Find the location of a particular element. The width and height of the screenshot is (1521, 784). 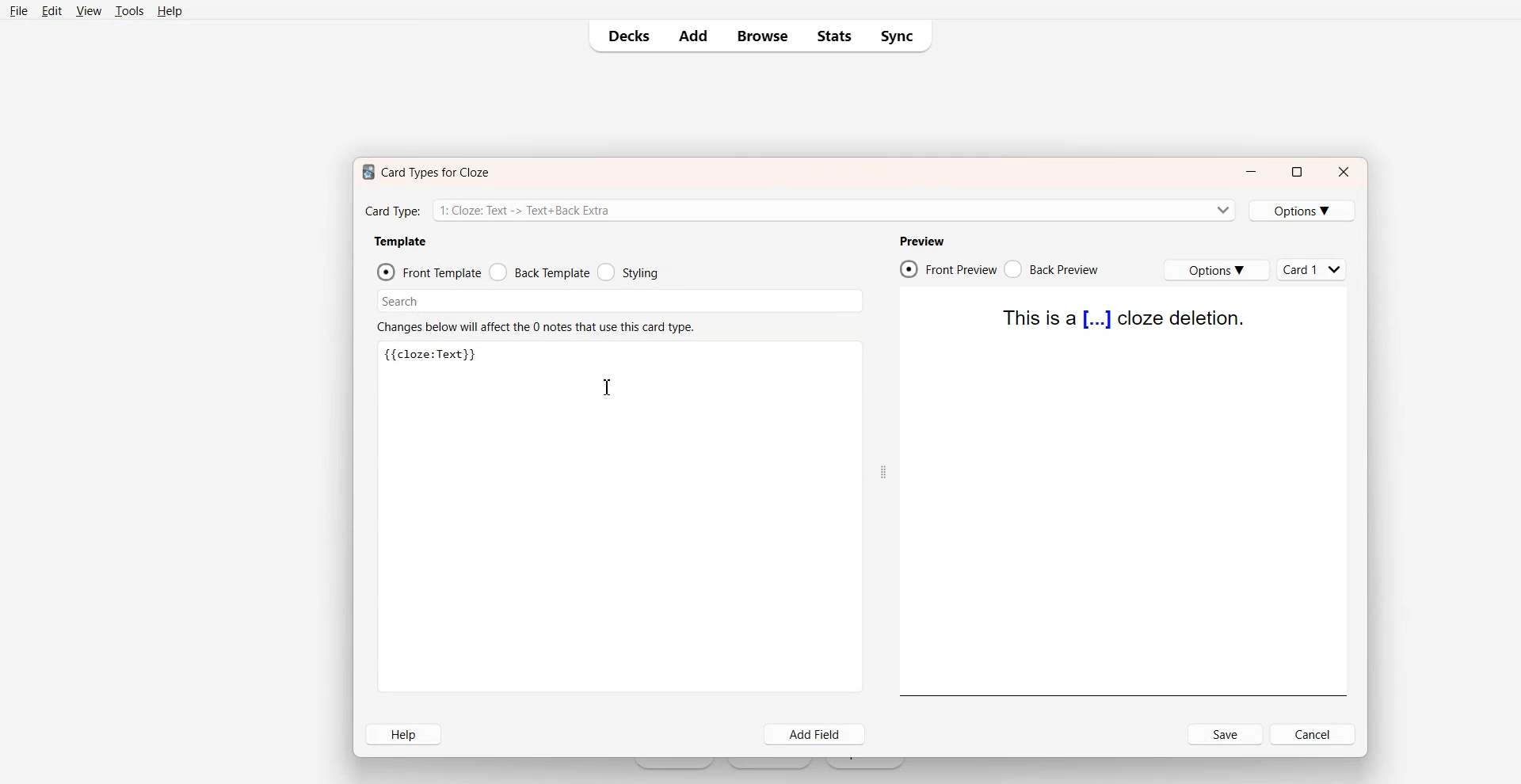

Cancel is located at coordinates (1314, 734).